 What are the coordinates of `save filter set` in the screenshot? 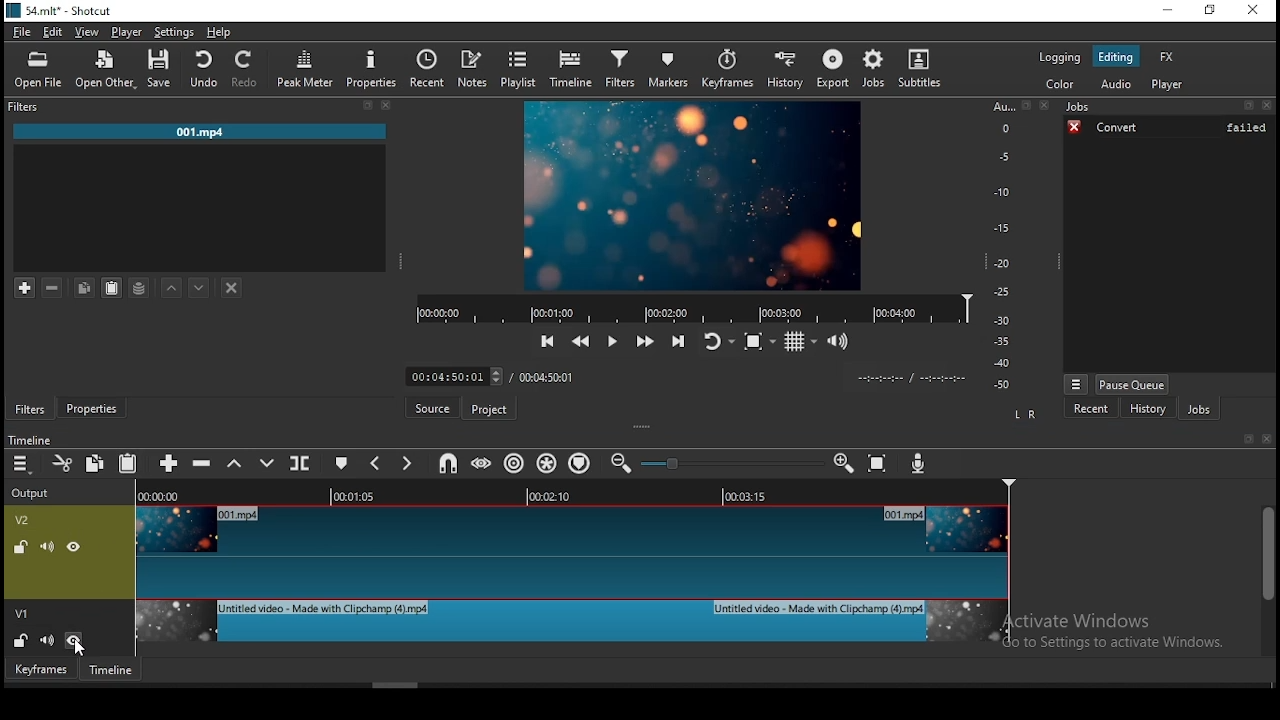 It's located at (140, 286).